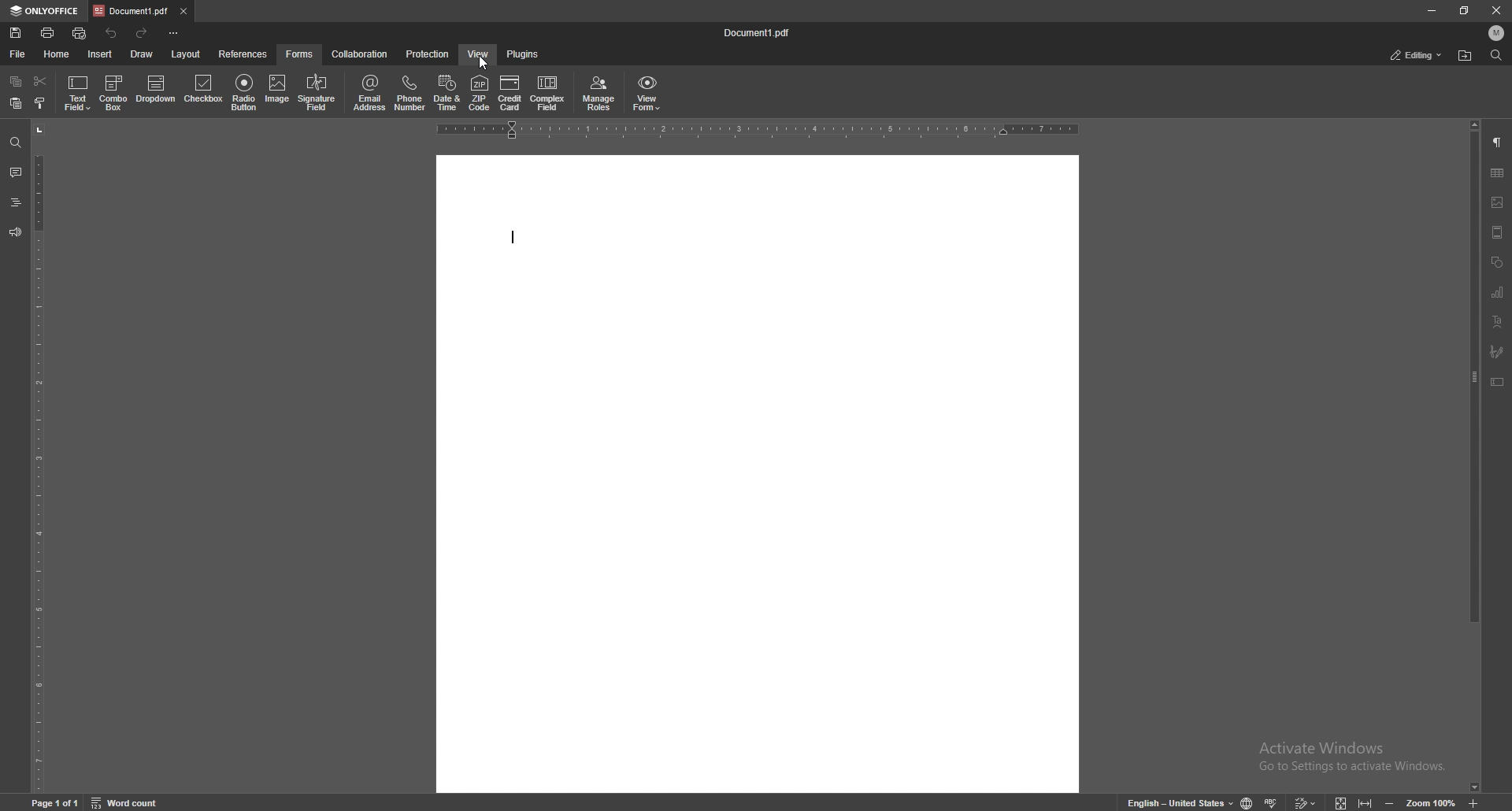 The image size is (1512, 811). What do you see at coordinates (15, 202) in the screenshot?
I see `headings` at bounding box center [15, 202].